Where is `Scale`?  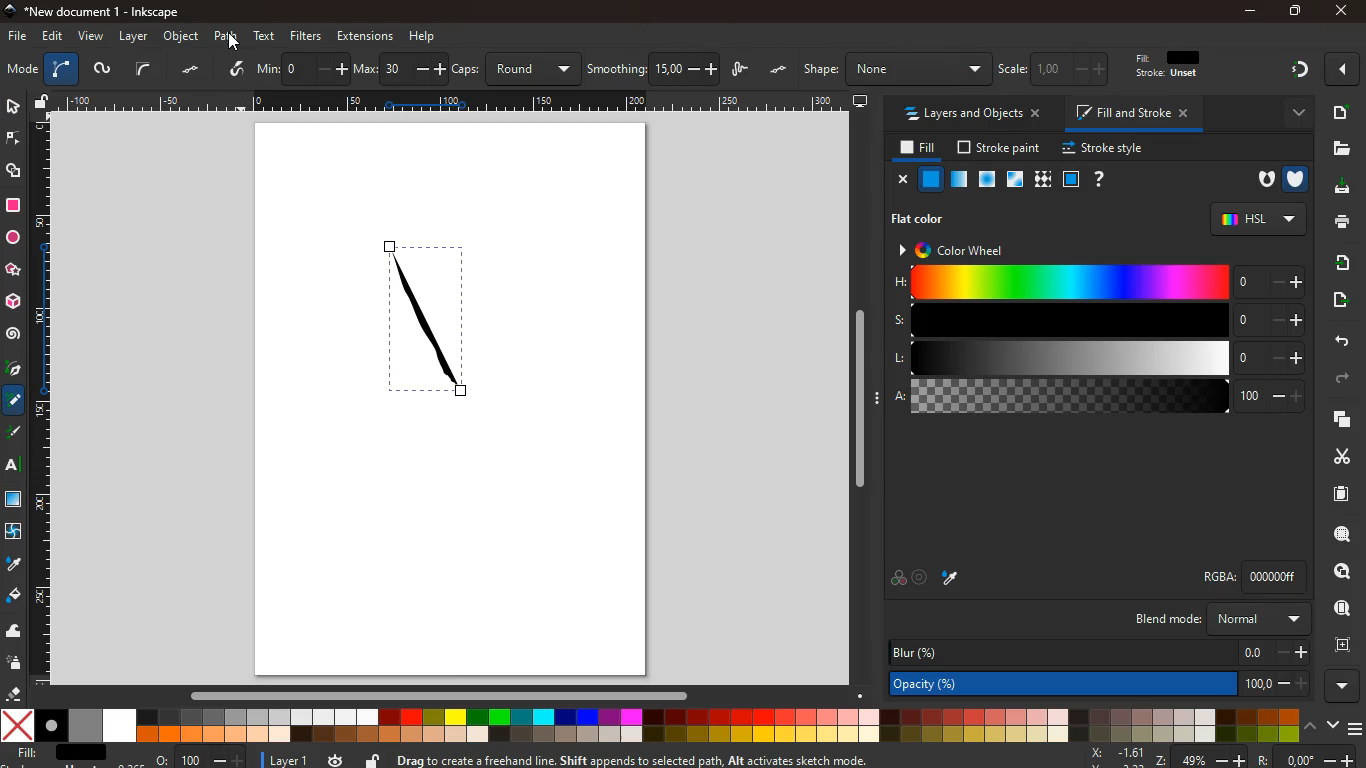 Scale is located at coordinates (454, 100).